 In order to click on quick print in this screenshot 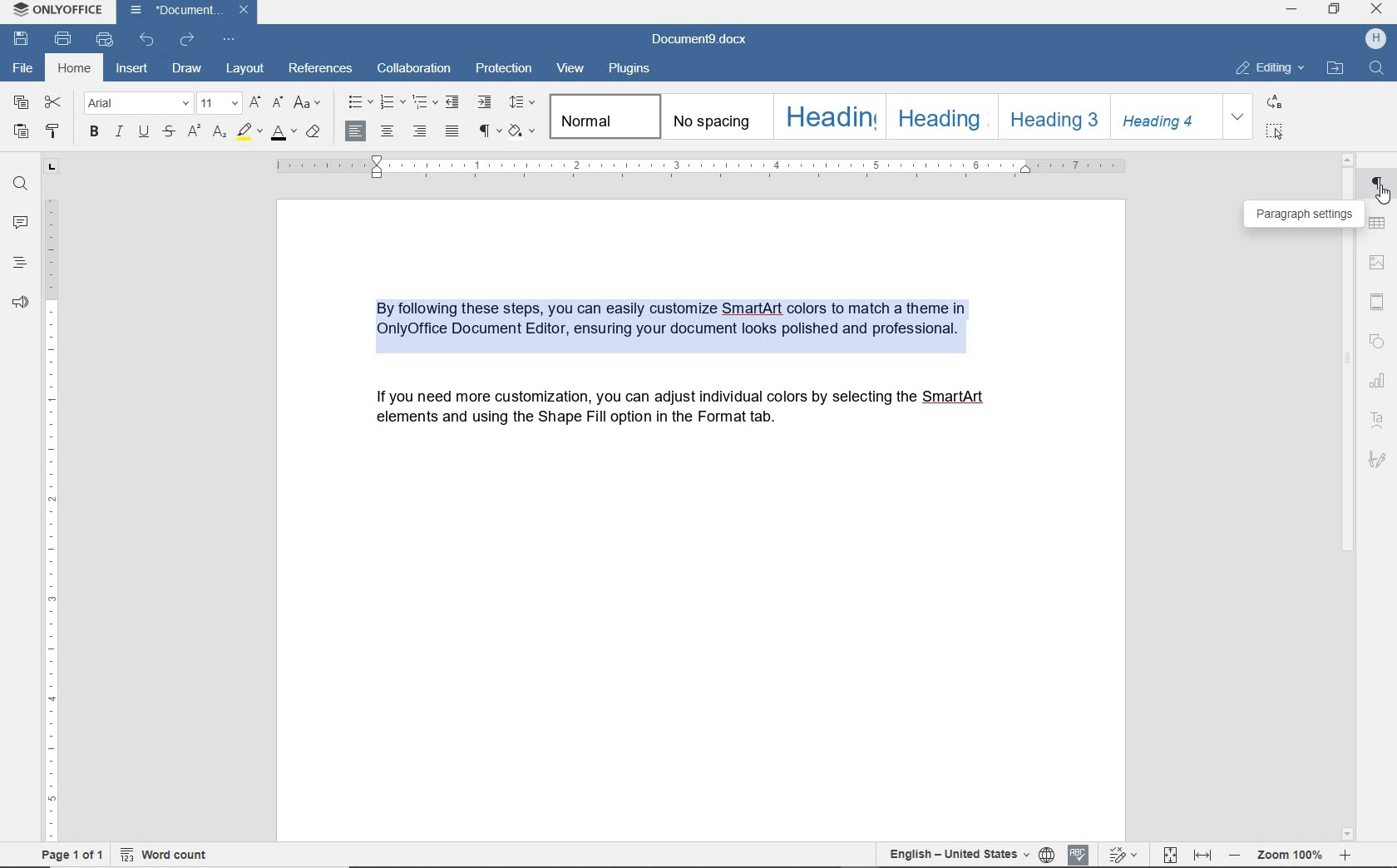, I will do `click(106, 41)`.